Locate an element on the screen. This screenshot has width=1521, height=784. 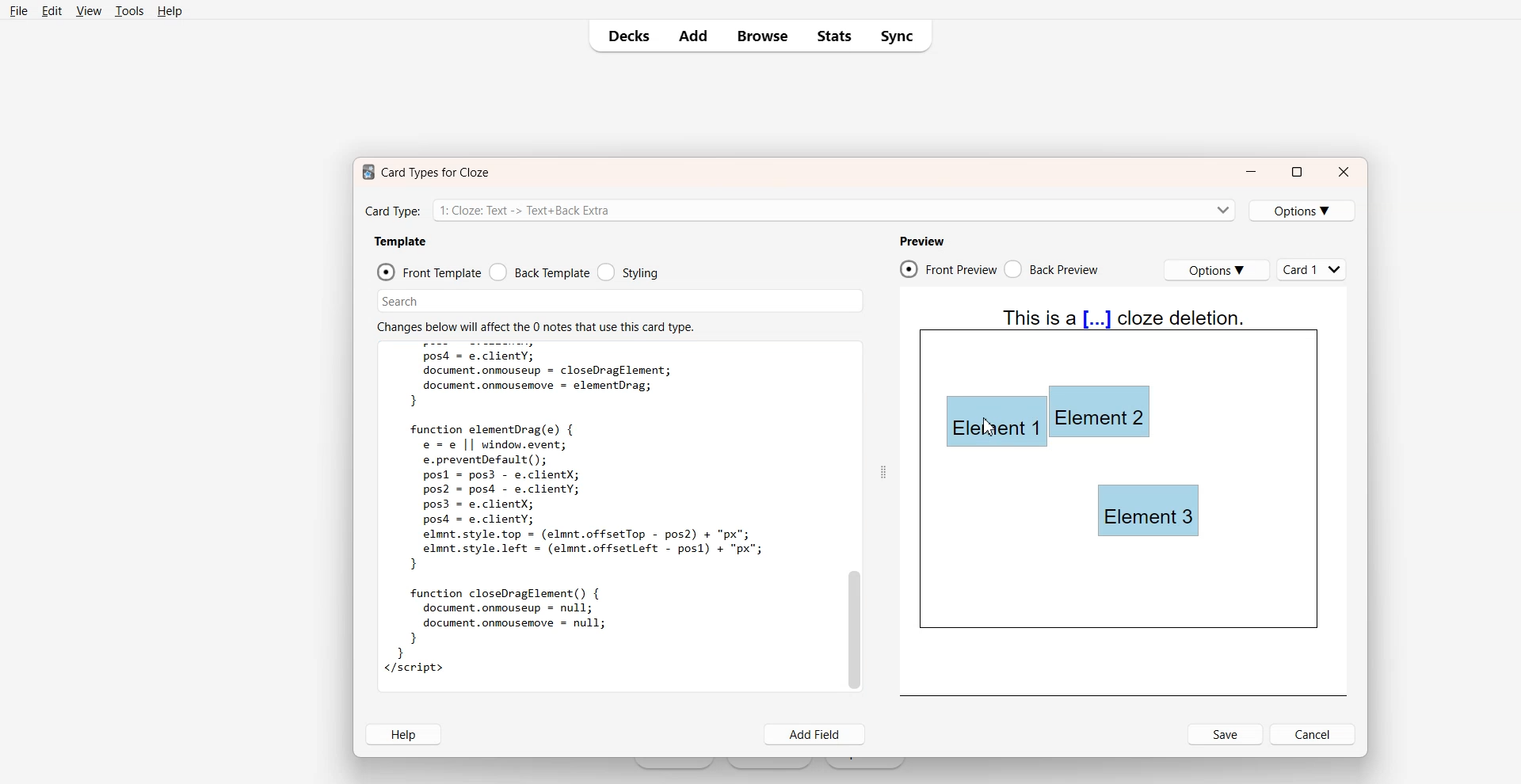
cursor is located at coordinates (989, 425).